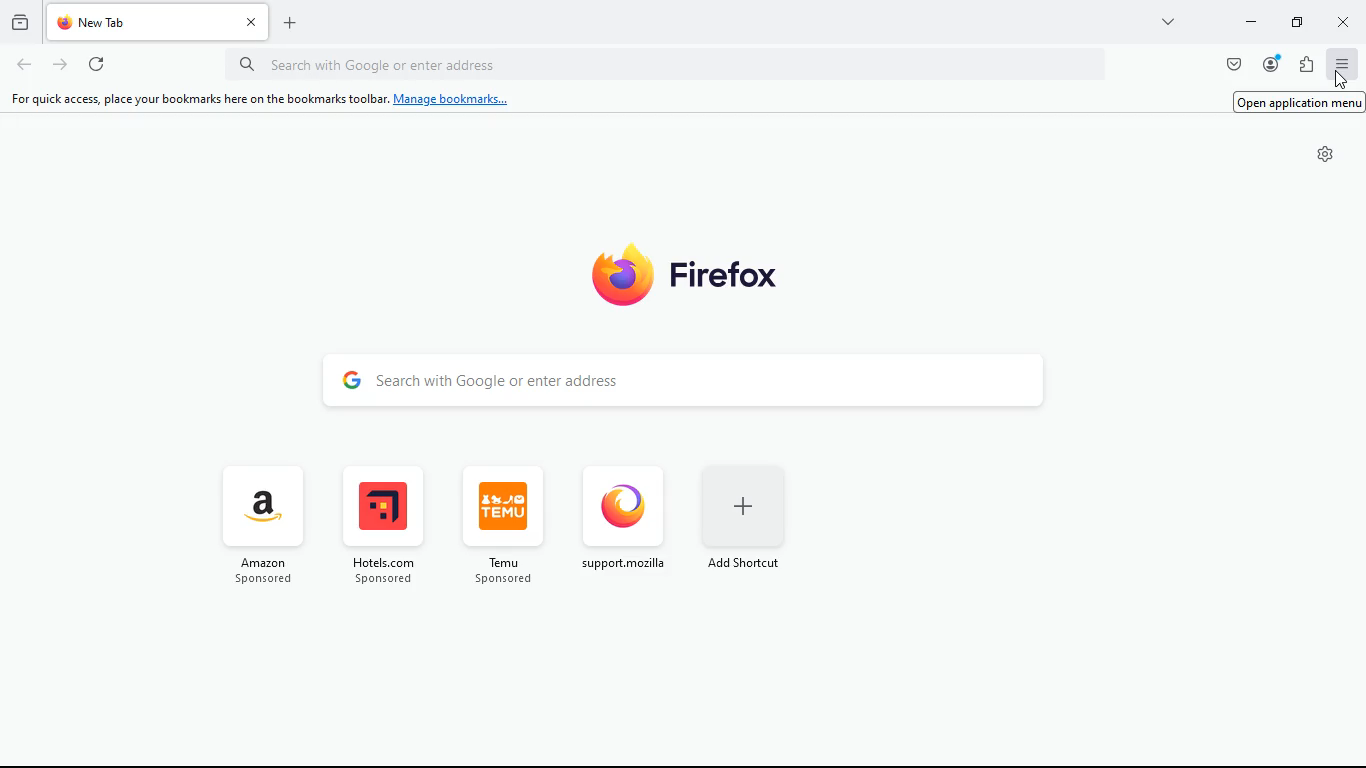 The height and width of the screenshot is (768, 1366). I want to click on minimize, so click(1247, 24).